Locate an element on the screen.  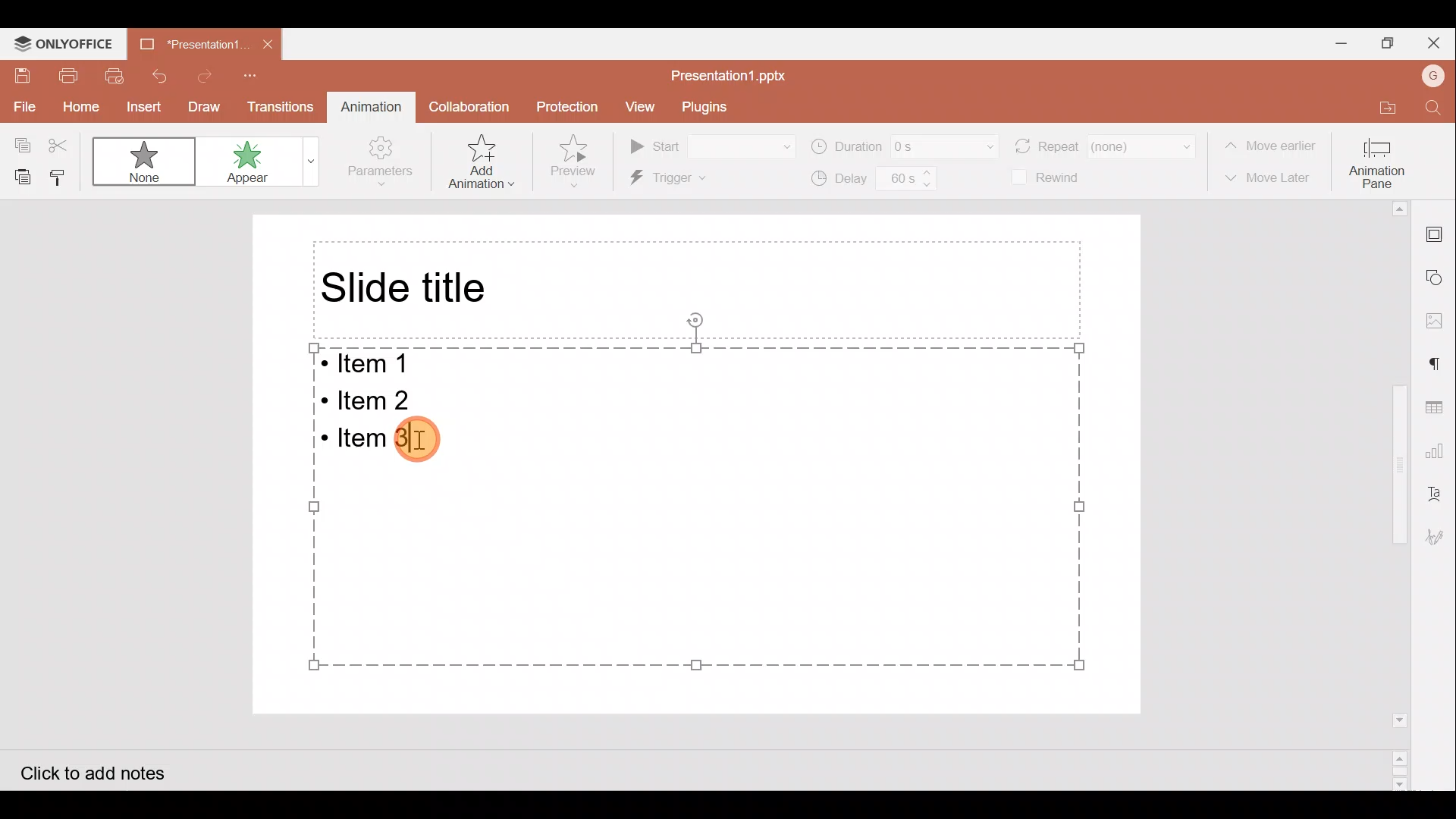
Image settings is located at coordinates (1442, 320).